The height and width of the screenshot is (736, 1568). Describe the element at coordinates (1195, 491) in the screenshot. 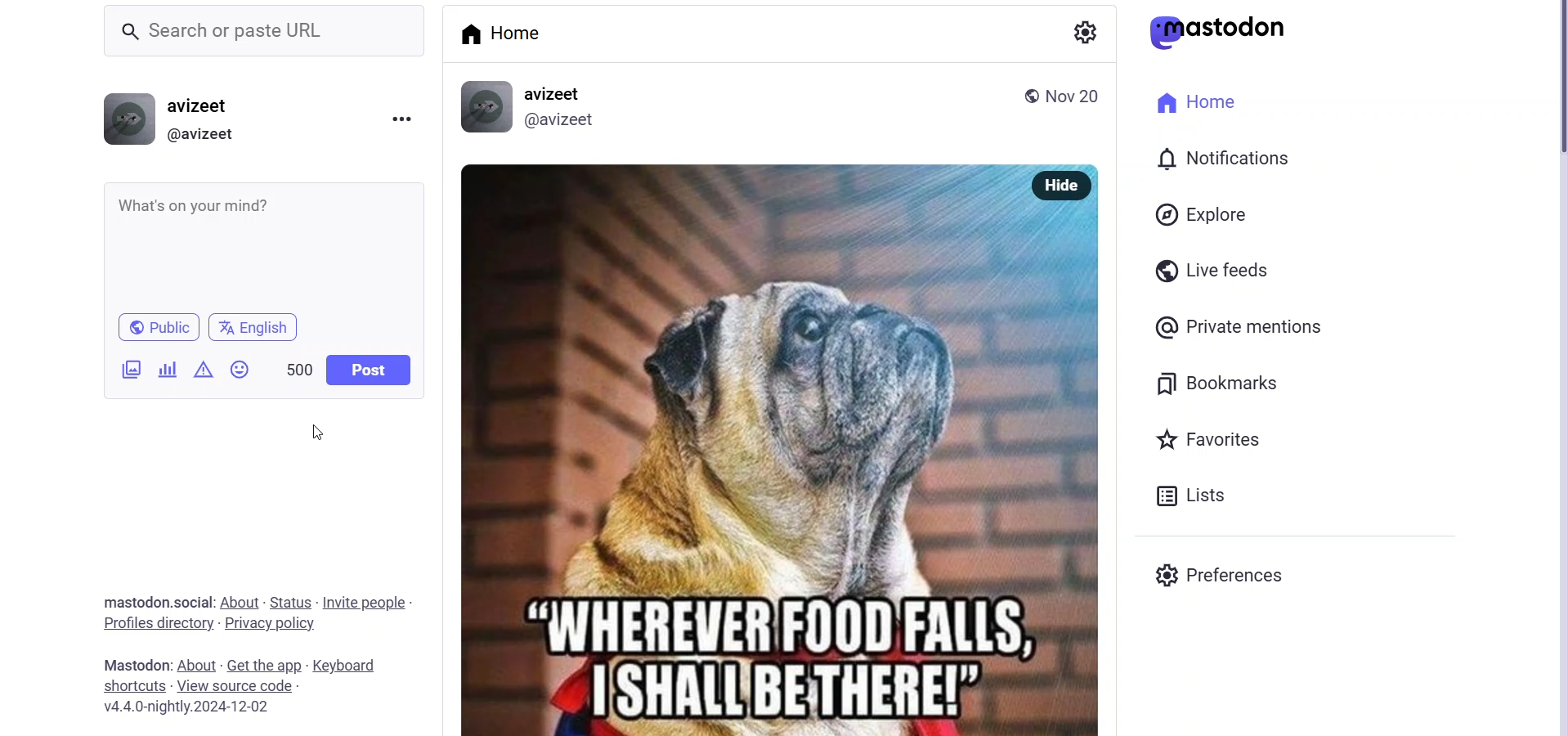

I see `lists` at that location.